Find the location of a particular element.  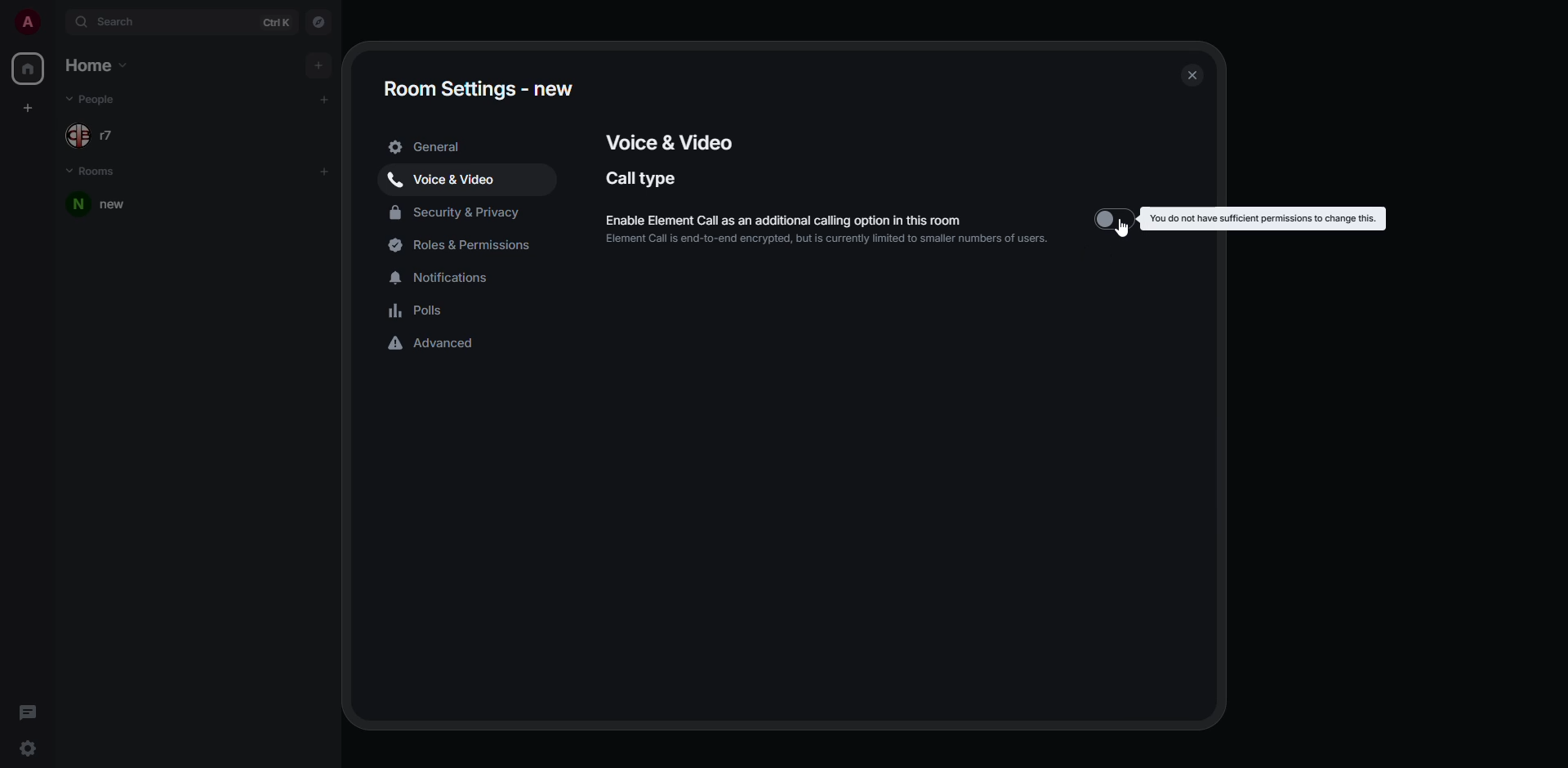

enable element call as an additional calling option in this room. element calling is end-to-end encrypted, but it is currently restricted to a smaller number of users. is located at coordinates (830, 230).